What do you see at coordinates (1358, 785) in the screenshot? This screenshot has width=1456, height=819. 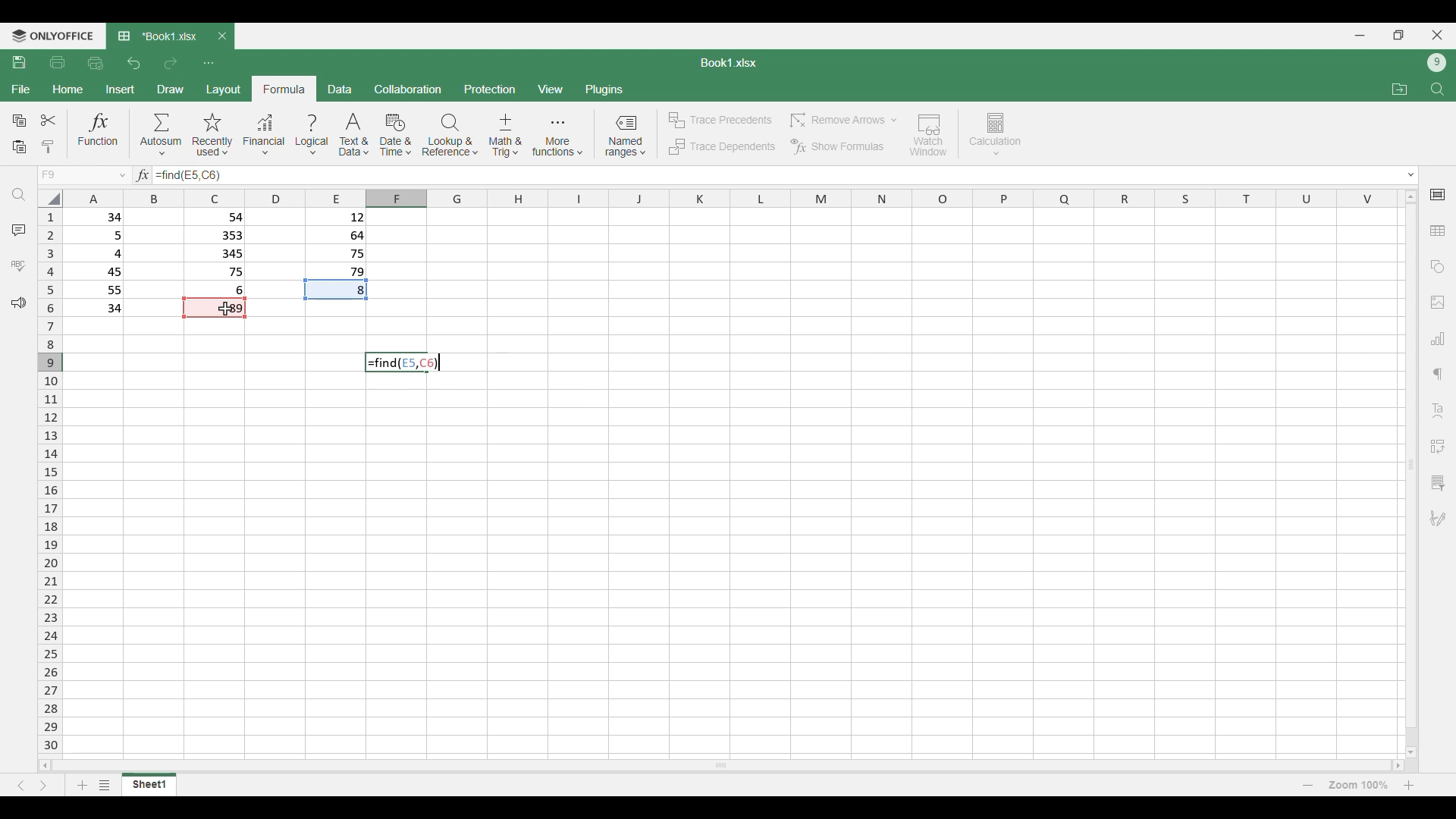 I see `Current zoom factor` at bounding box center [1358, 785].